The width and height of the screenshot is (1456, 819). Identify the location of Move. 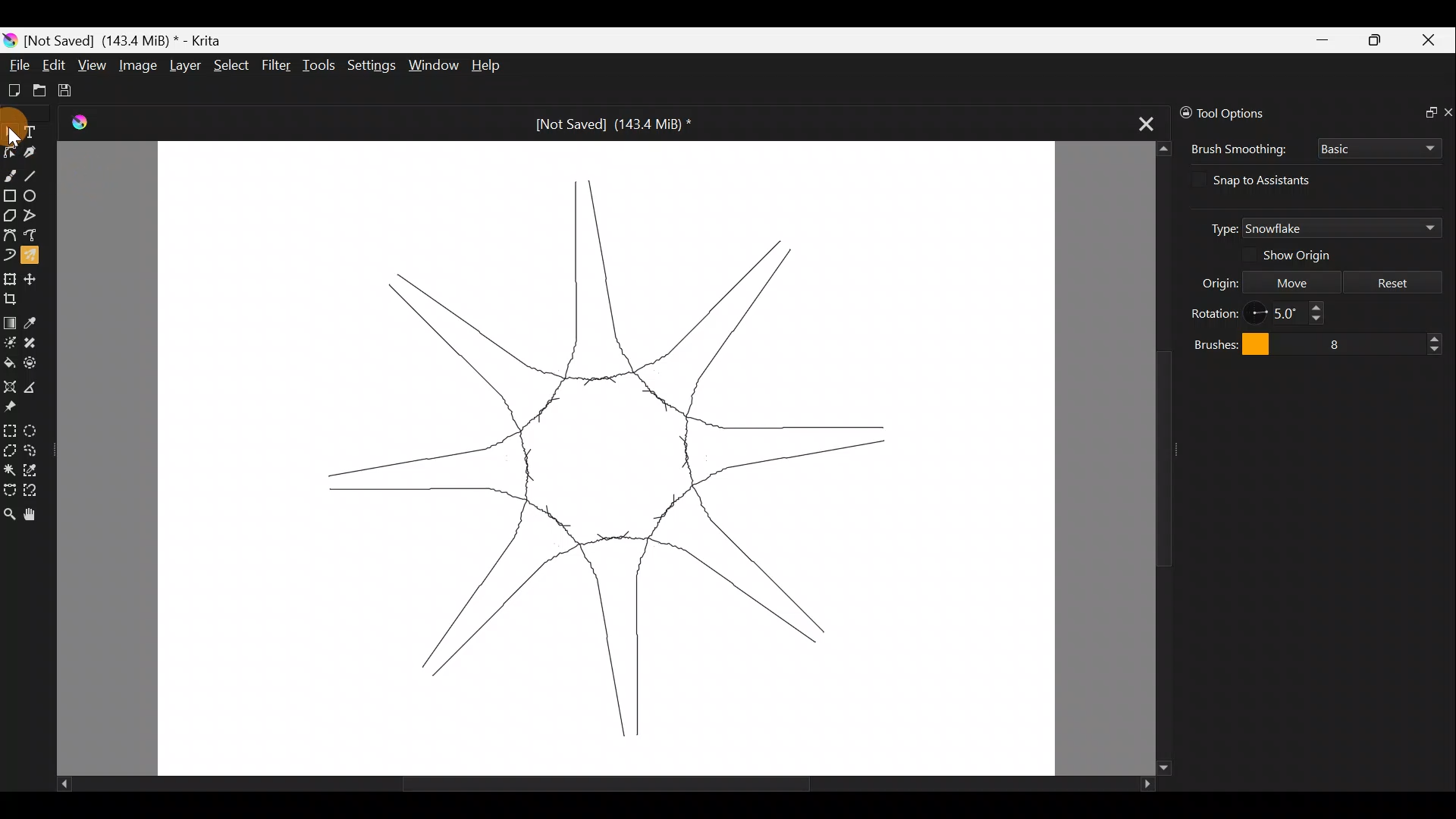
(1291, 281).